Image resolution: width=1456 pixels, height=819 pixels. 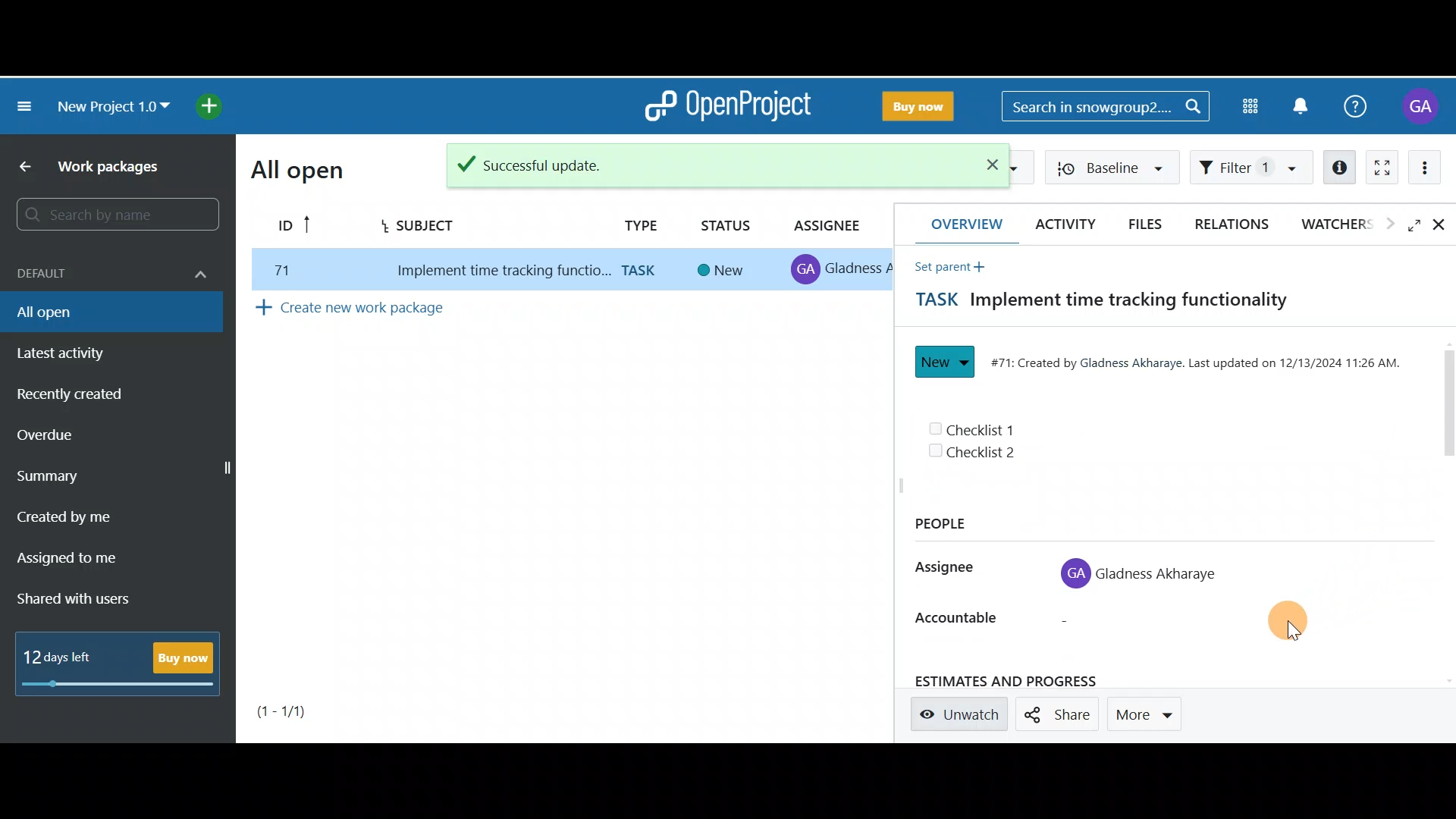 What do you see at coordinates (26, 110) in the screenshot?
I see `Collapse project menu` at bounding box center [26, 110].